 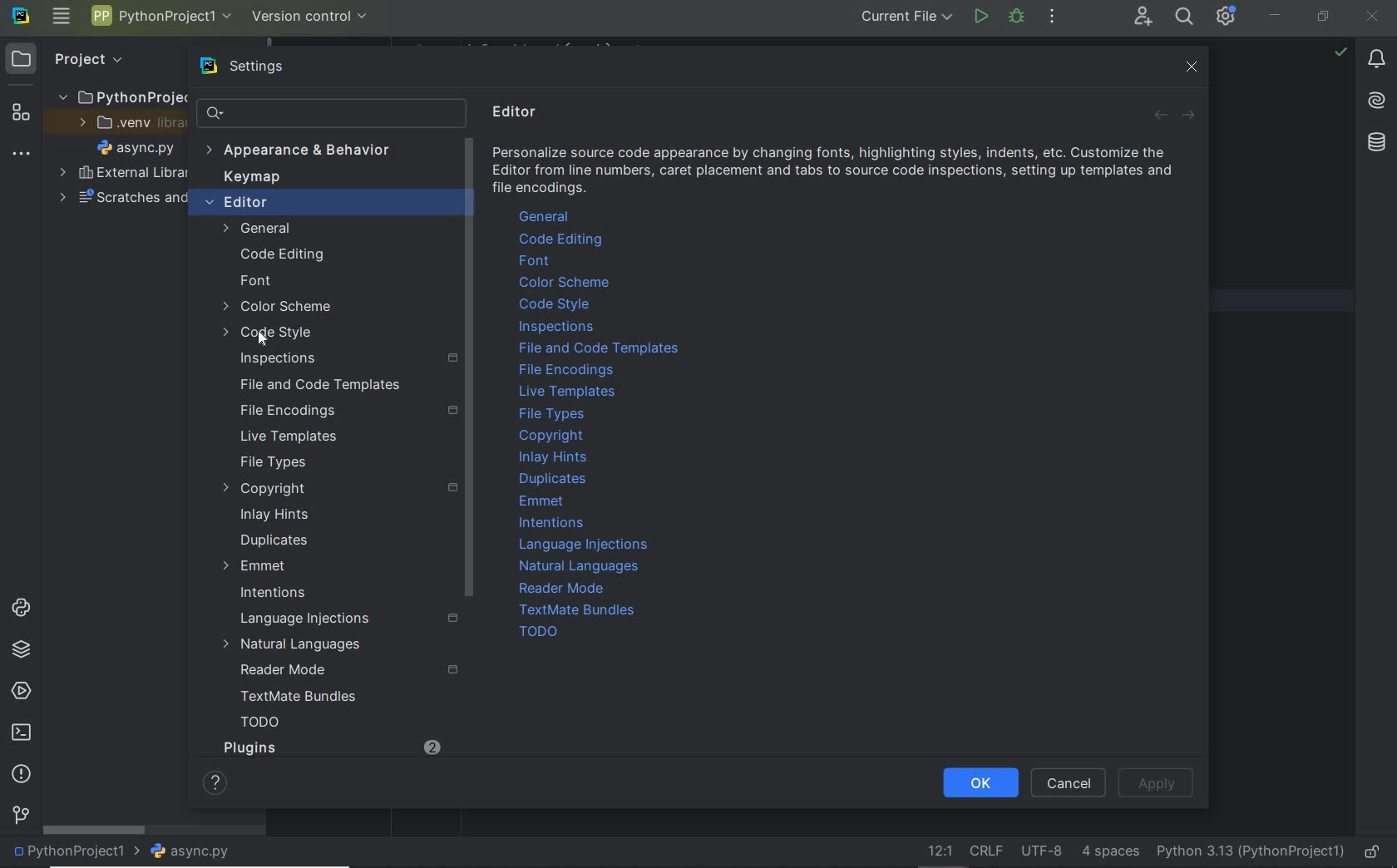 I want to click on Back, so click(x=1163, y=118).